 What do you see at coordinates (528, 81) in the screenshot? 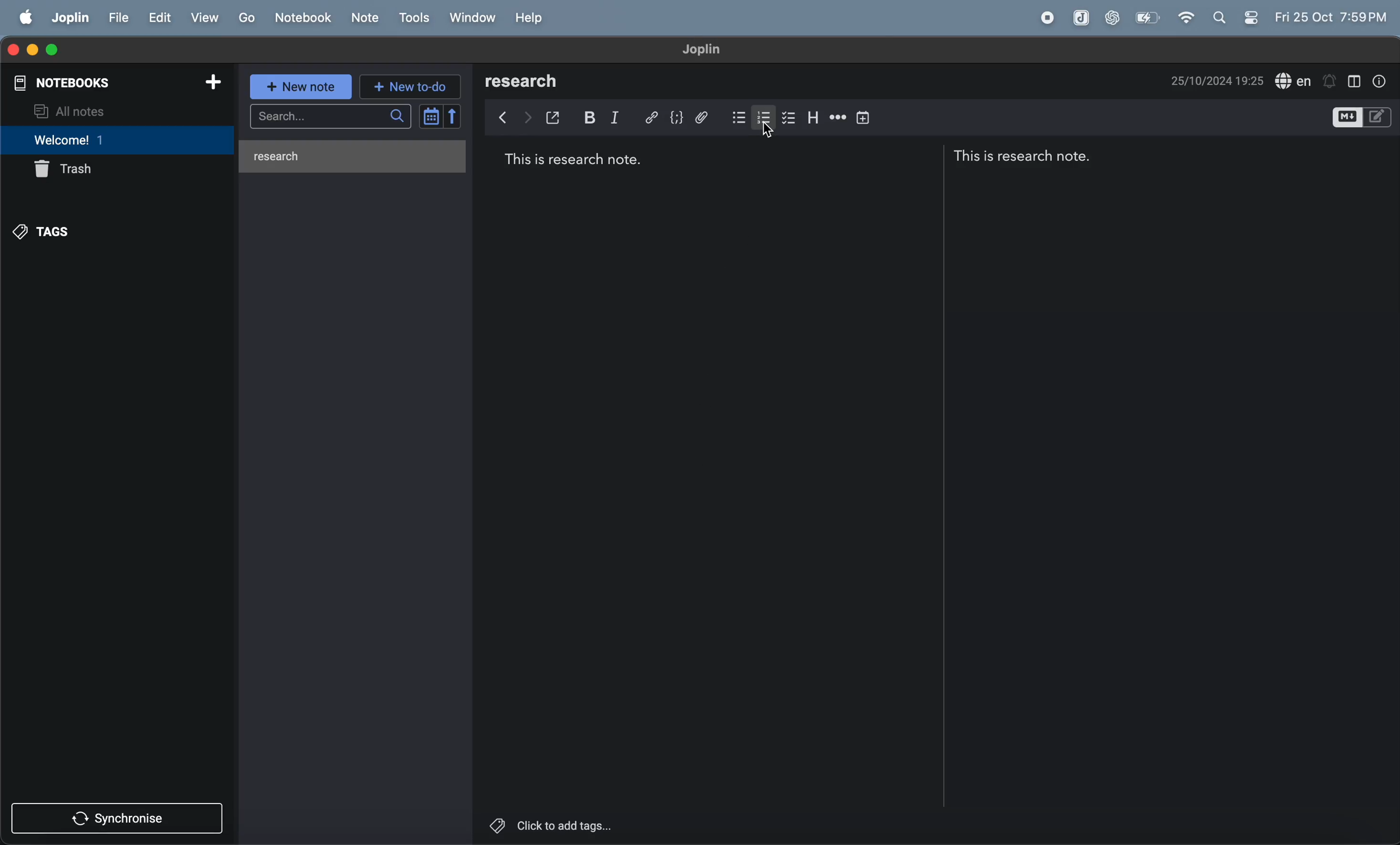
I see `research` at bounding box center [528, 81].